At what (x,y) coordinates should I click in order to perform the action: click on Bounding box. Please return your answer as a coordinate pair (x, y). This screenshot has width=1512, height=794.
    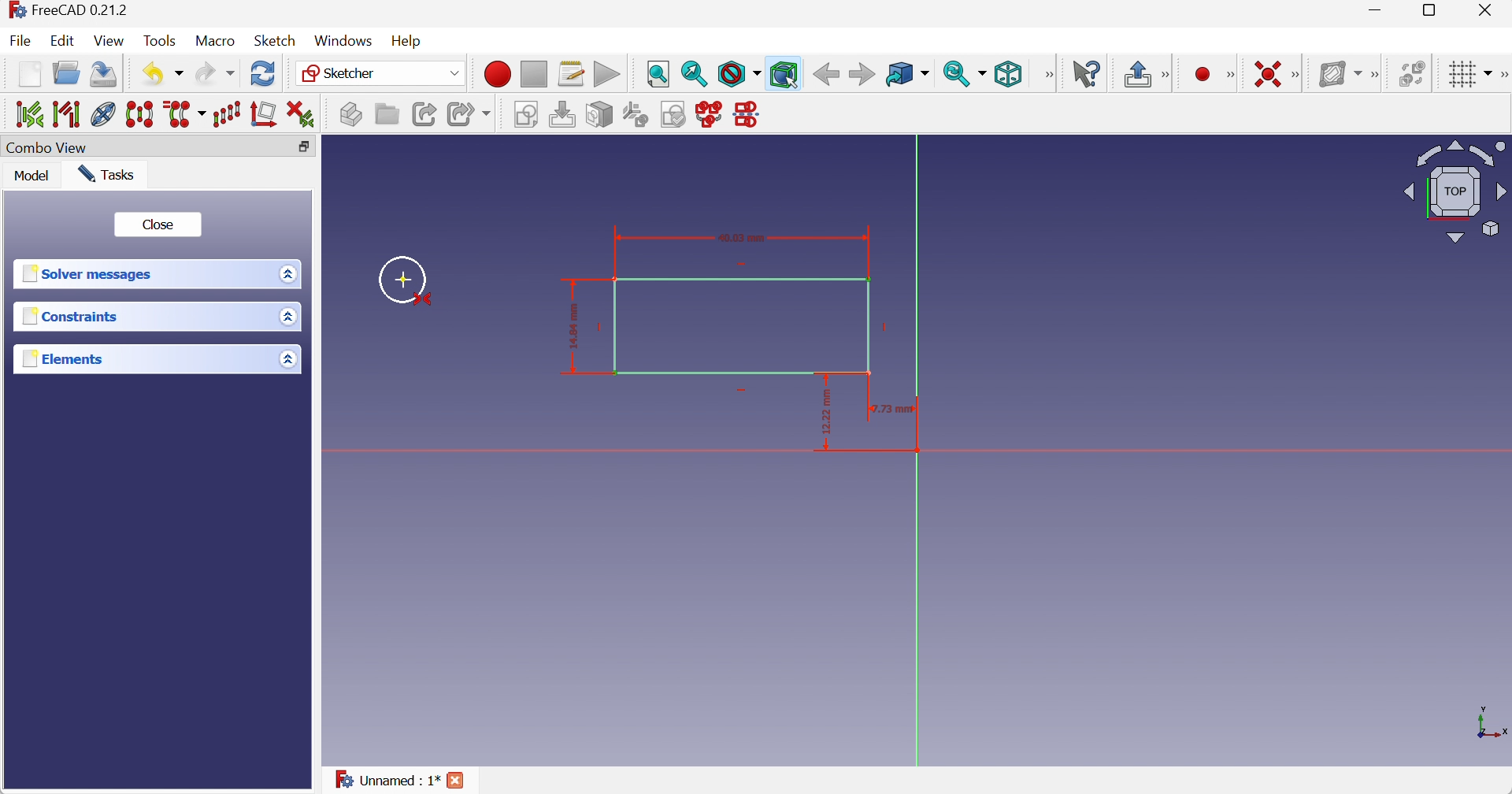
    Looking at the image, I should click on (784, 74).